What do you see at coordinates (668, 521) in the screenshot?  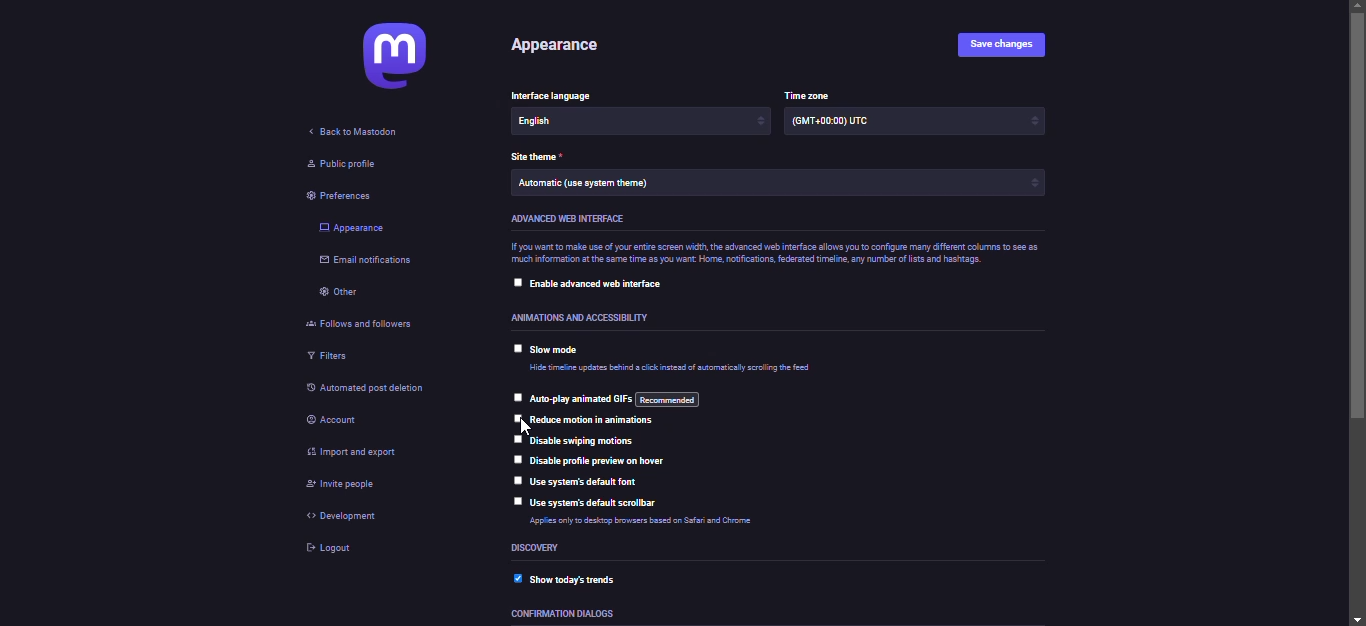 I see `info` at bounding box center [668, 521].